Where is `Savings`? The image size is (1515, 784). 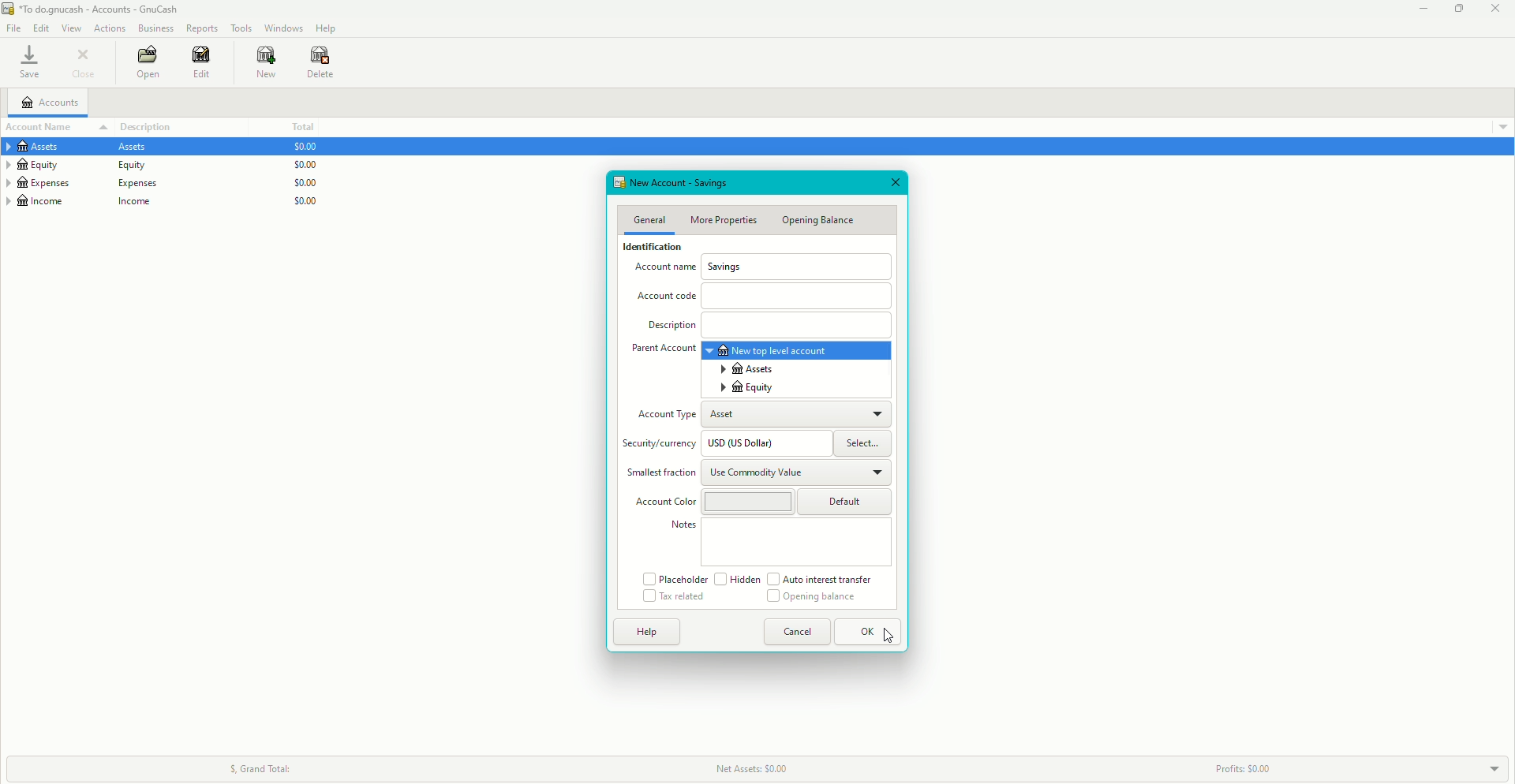 Savings is located at coordinates (726, 267).